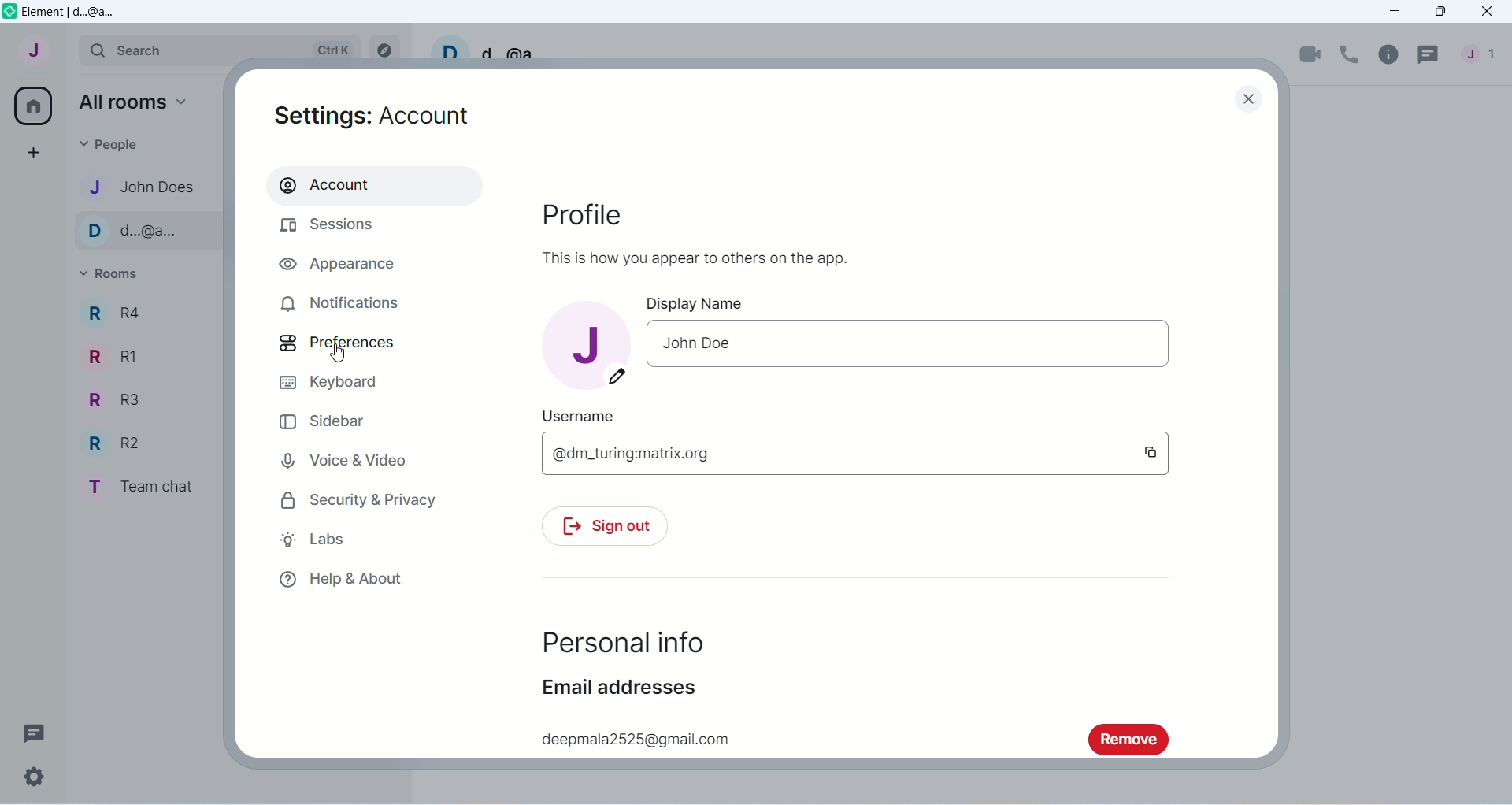 The image size is (1512, 805). I want to click on This is how you appear to others on the app, so click(706, 261).